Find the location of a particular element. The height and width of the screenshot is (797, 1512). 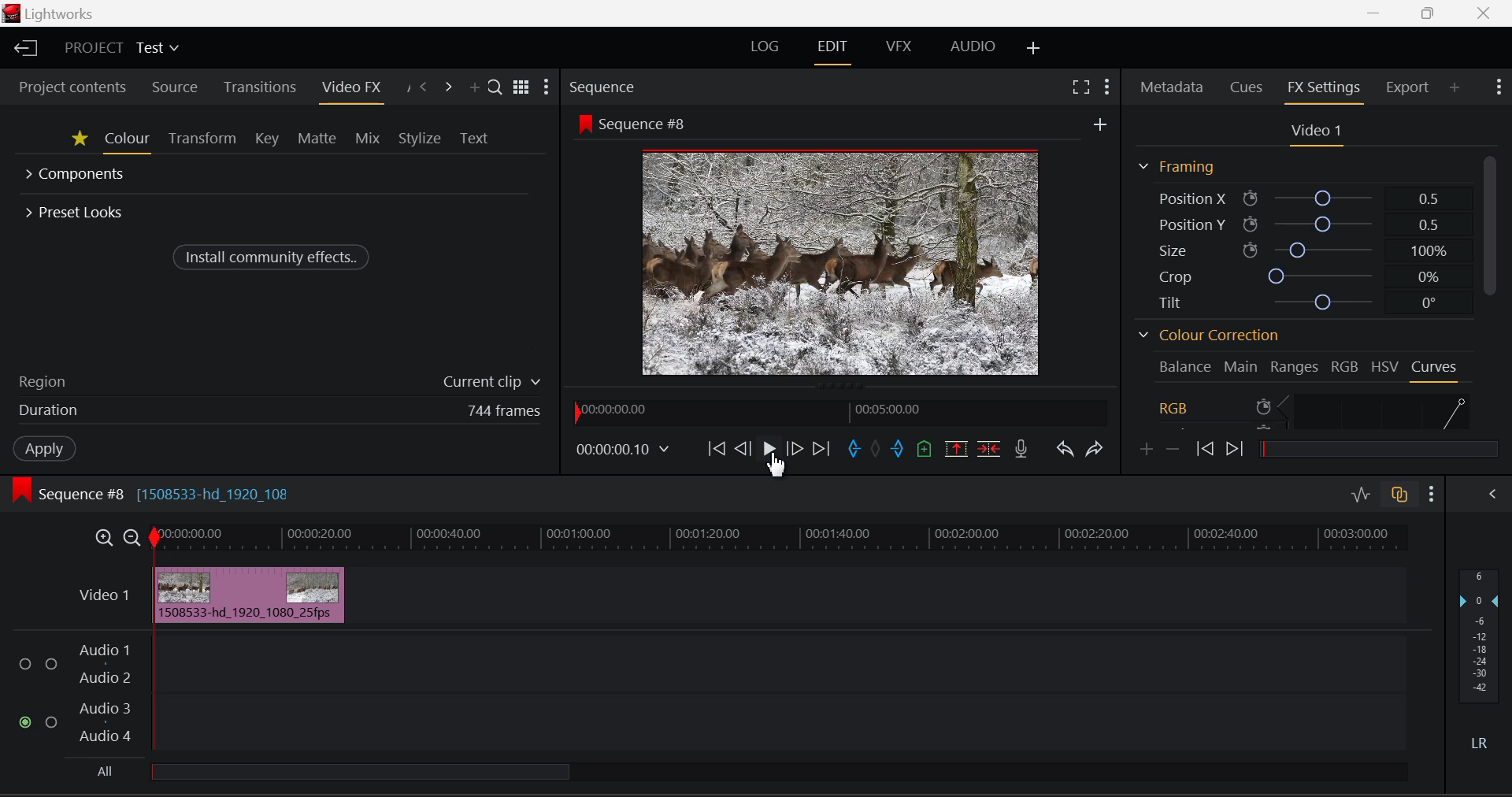

Next keyframe is located at coordinates (1238, 446).